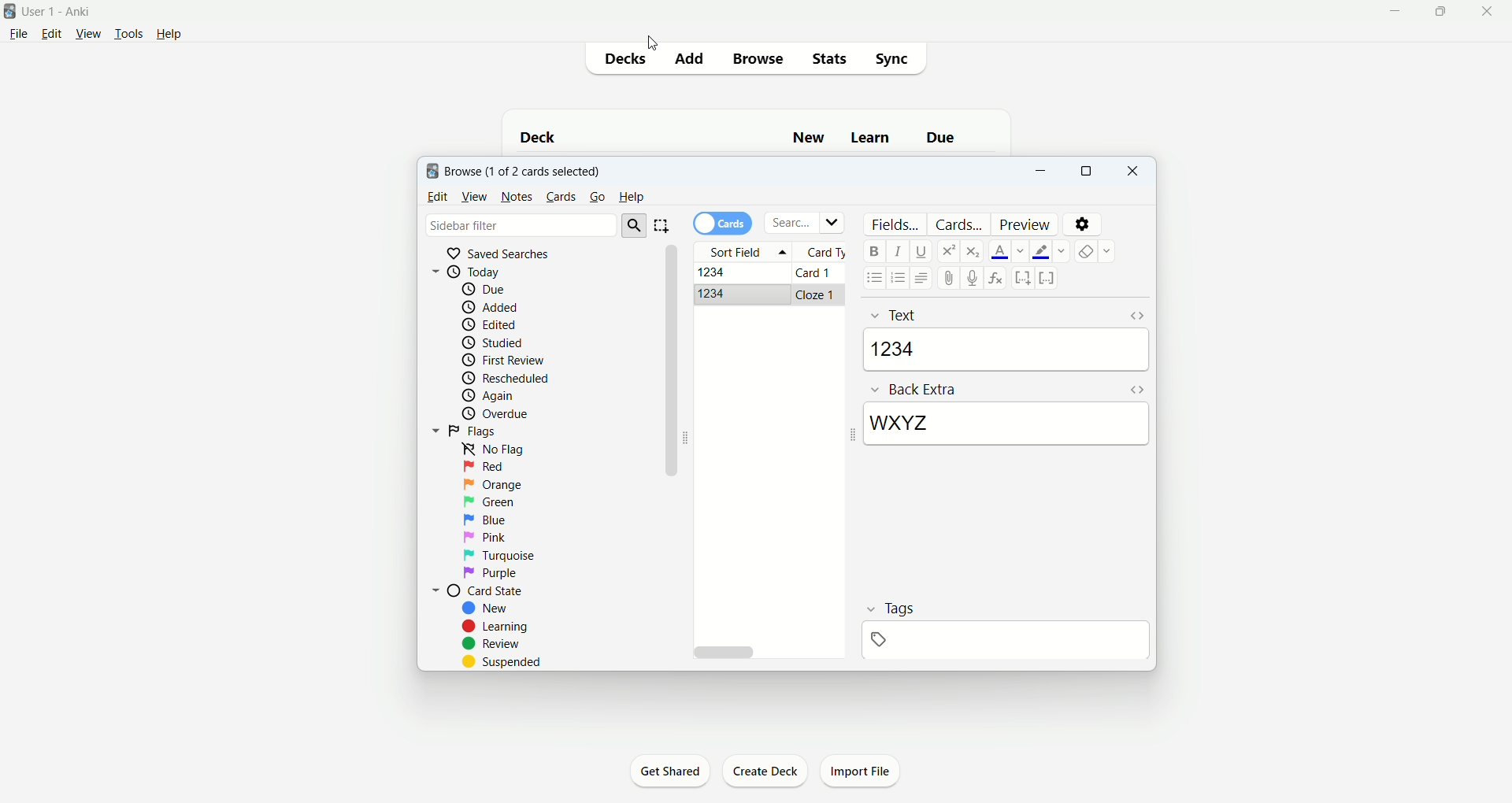 Image resolution: width=1512 pixels, height=803 pixels. What do you see at coordinates (596, 197) in the screenshot?
I see `go` at bounding box center [596, 197].